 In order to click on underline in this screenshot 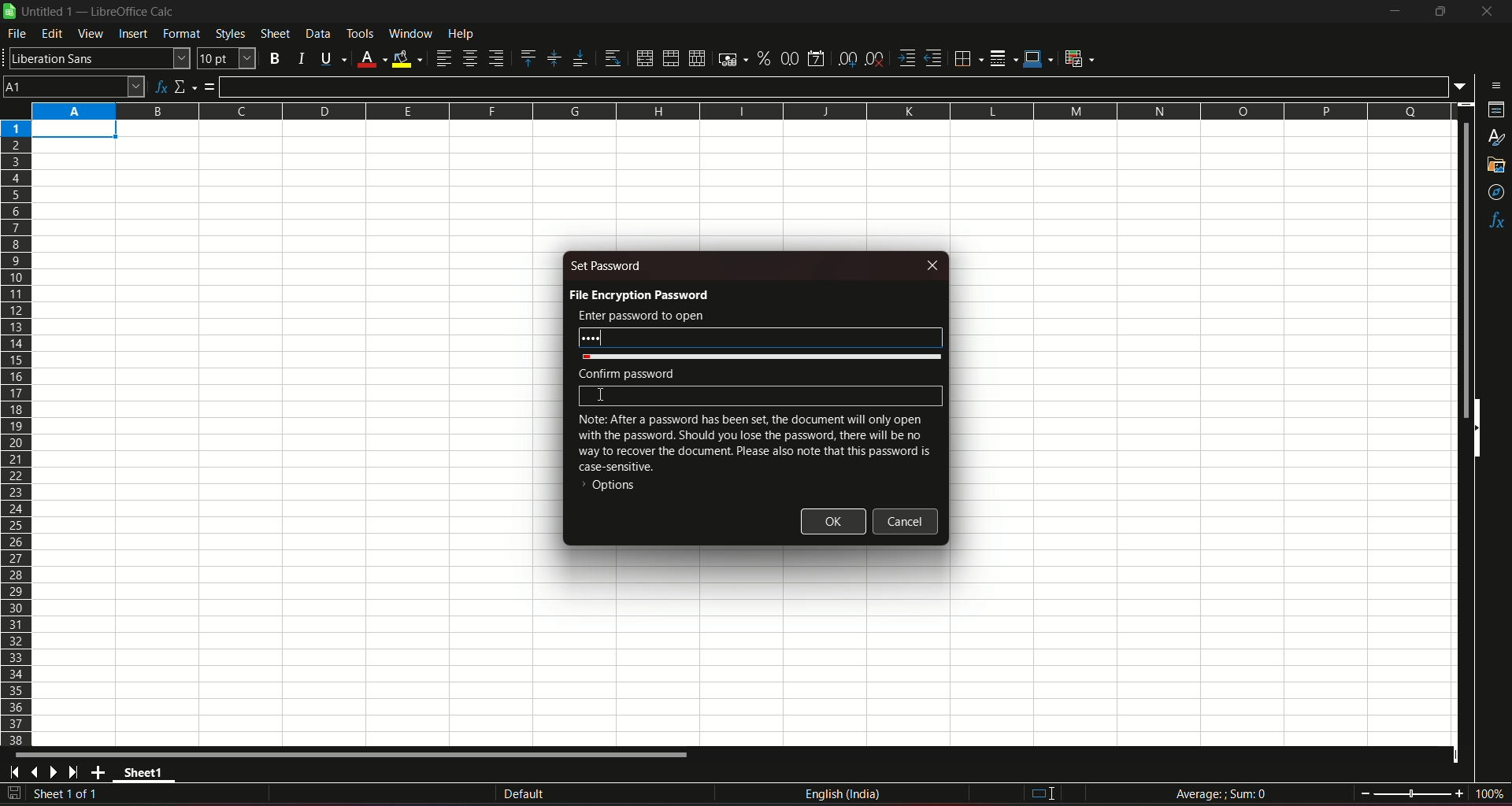, I will do `click(330, 57)`.